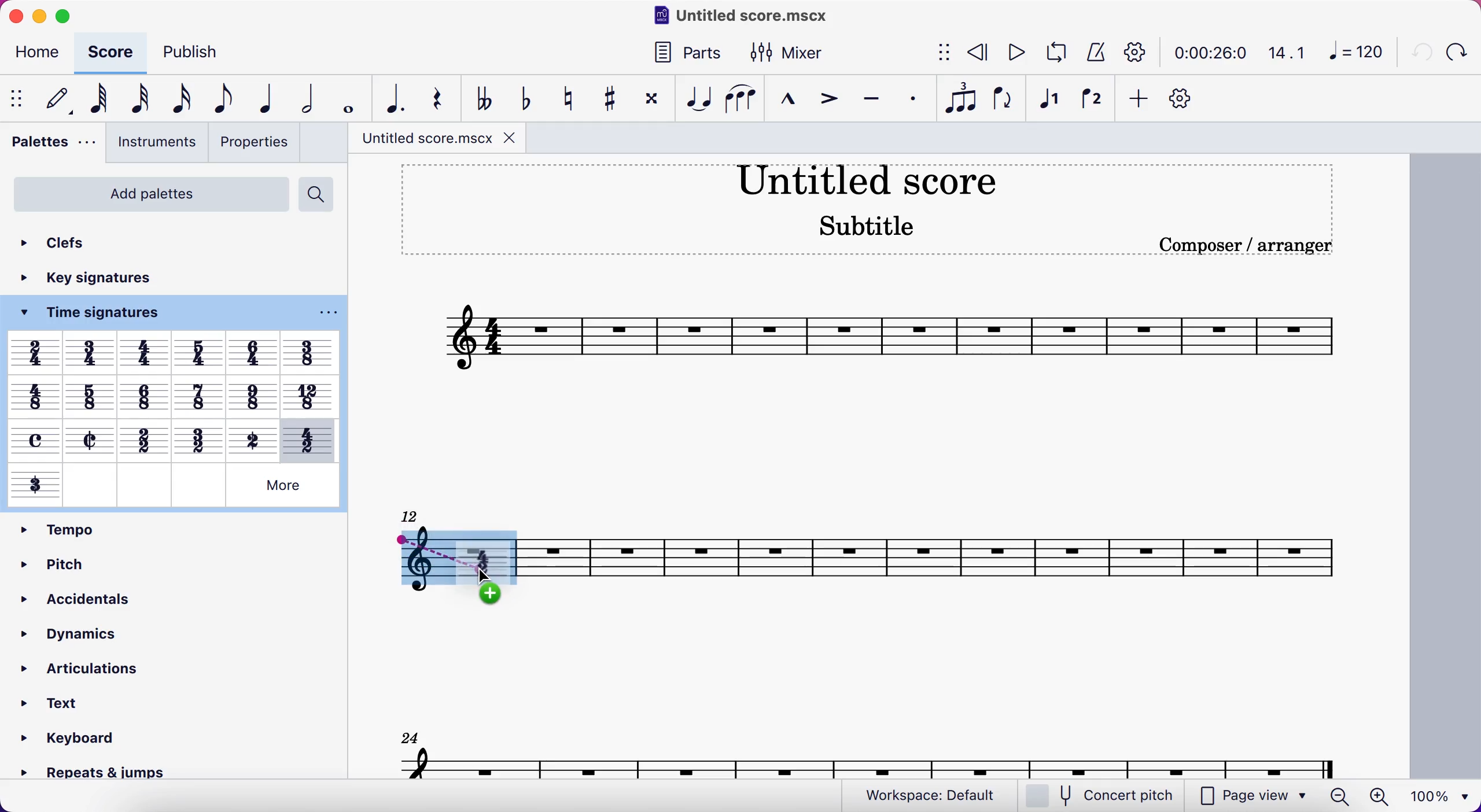 The width and height of the screenshot is (1481, 812). Describe the element at coordinates (105, 53) in the screenshot. I see `score` at that location.